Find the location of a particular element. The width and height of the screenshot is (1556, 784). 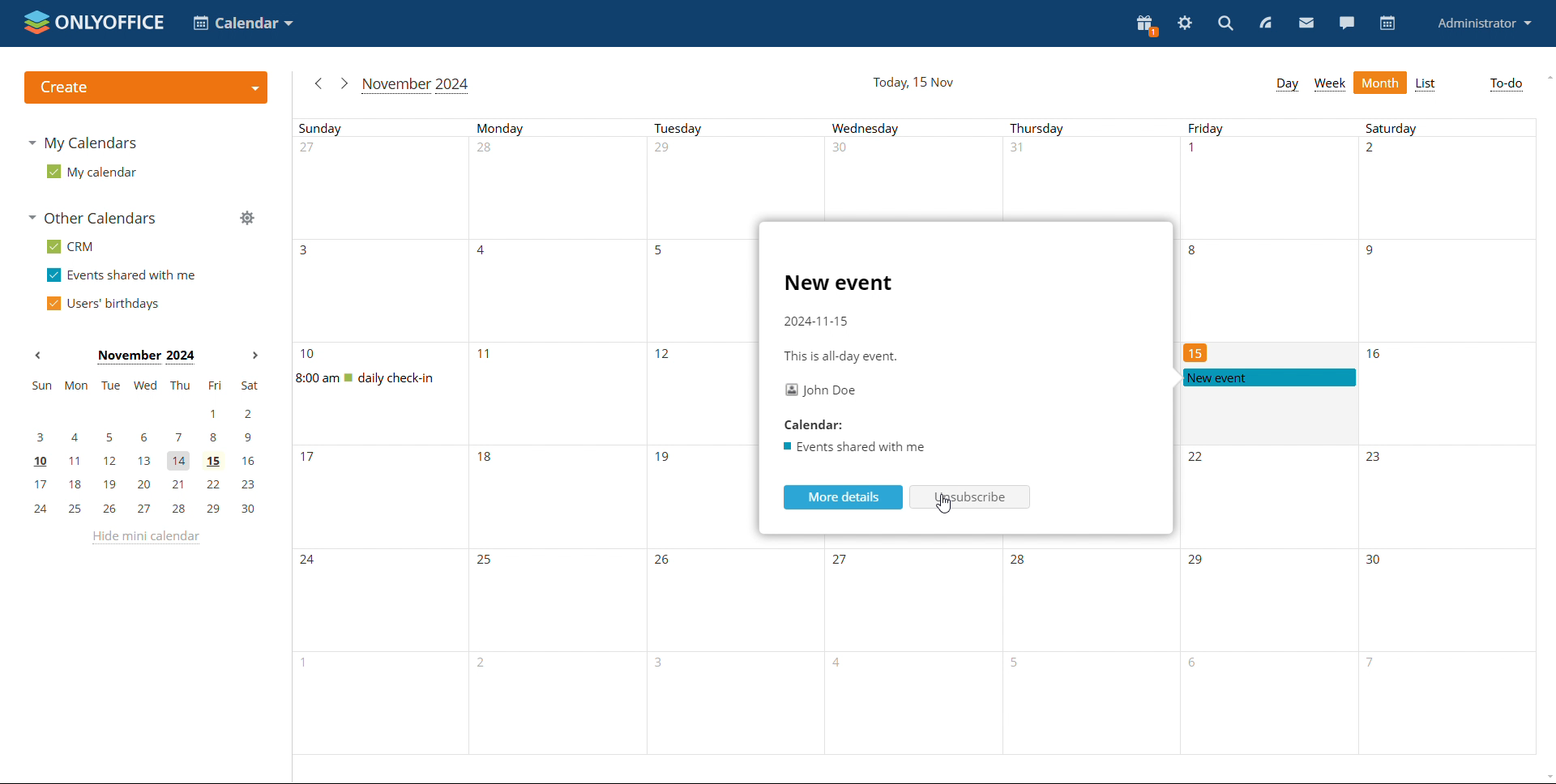

event invitation by other user is located at coordinates (1268, 377).